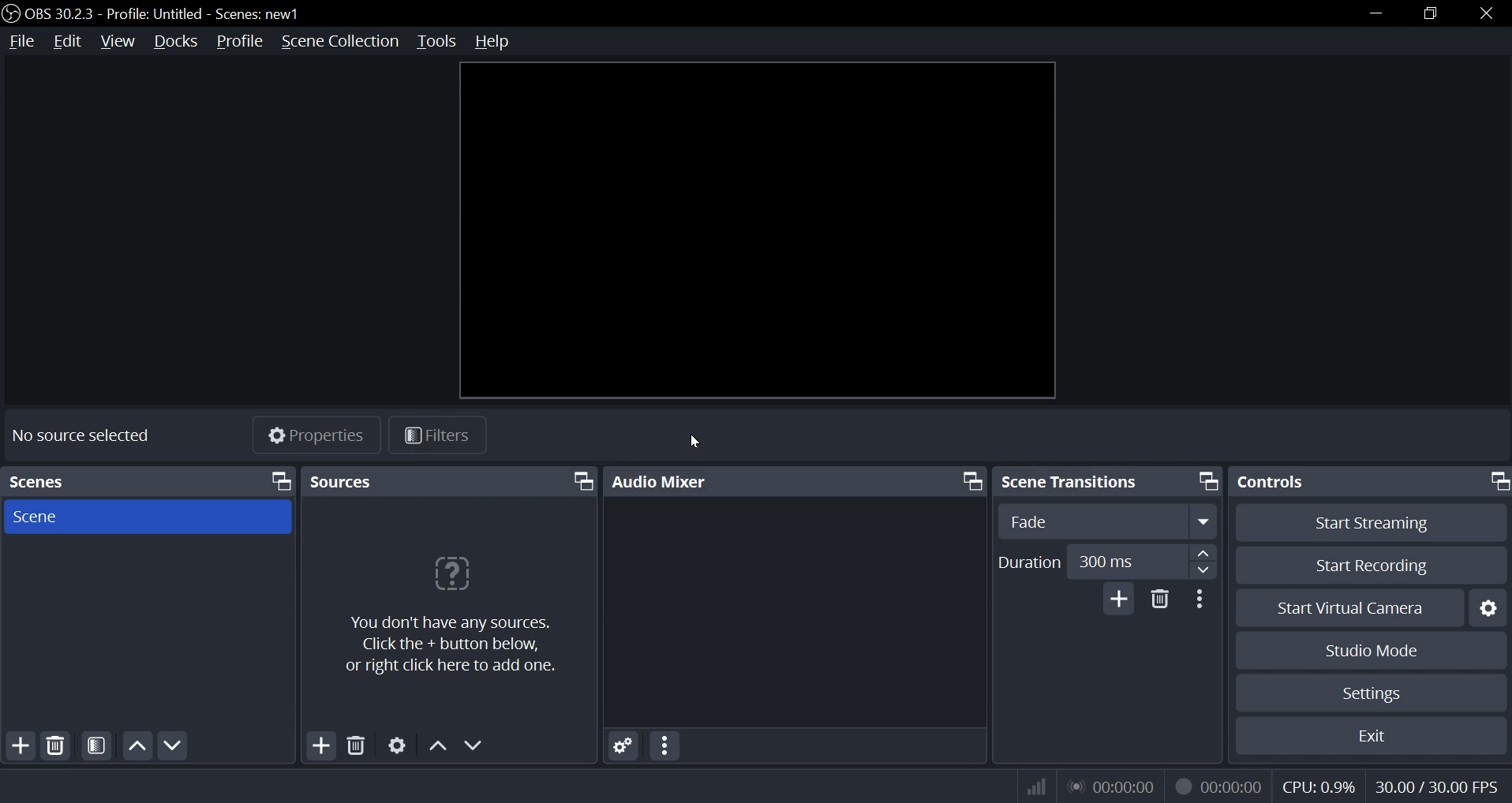 The image size is (1512, 803). I want to click on No source selected, so click(80, 434).